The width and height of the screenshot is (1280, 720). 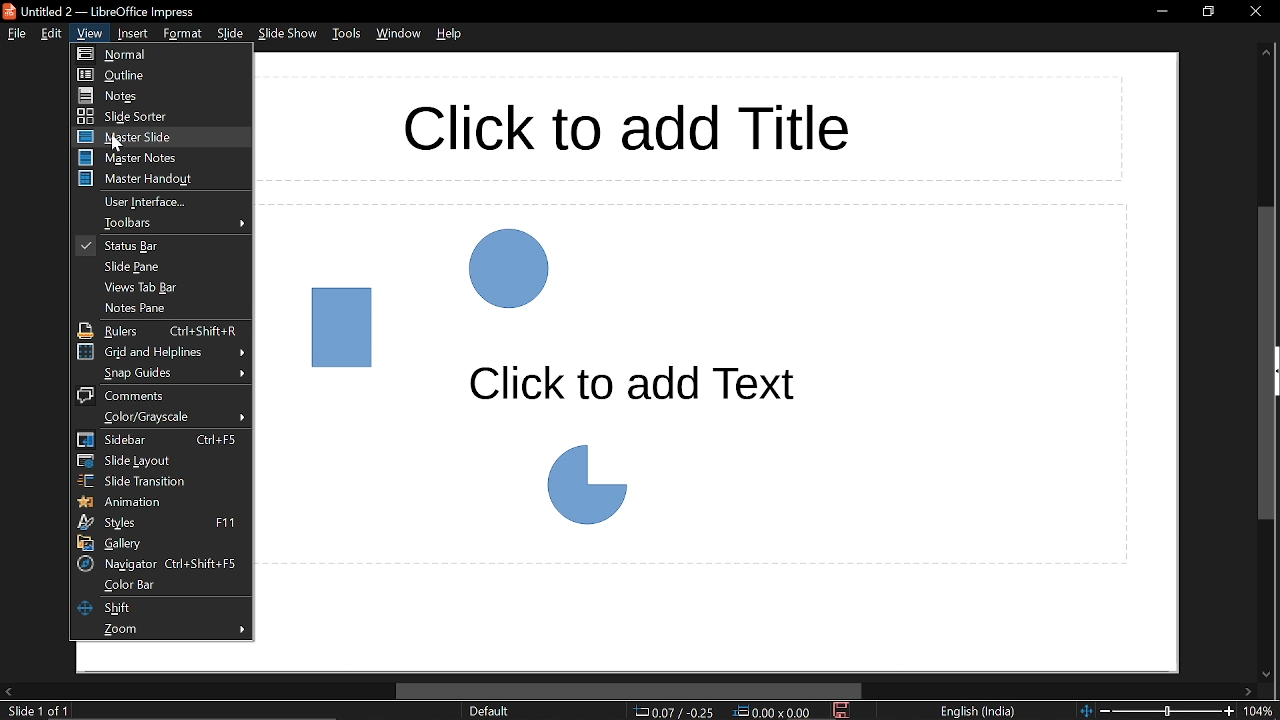 I want to click on Slide transition, so click(x=161, y=481).